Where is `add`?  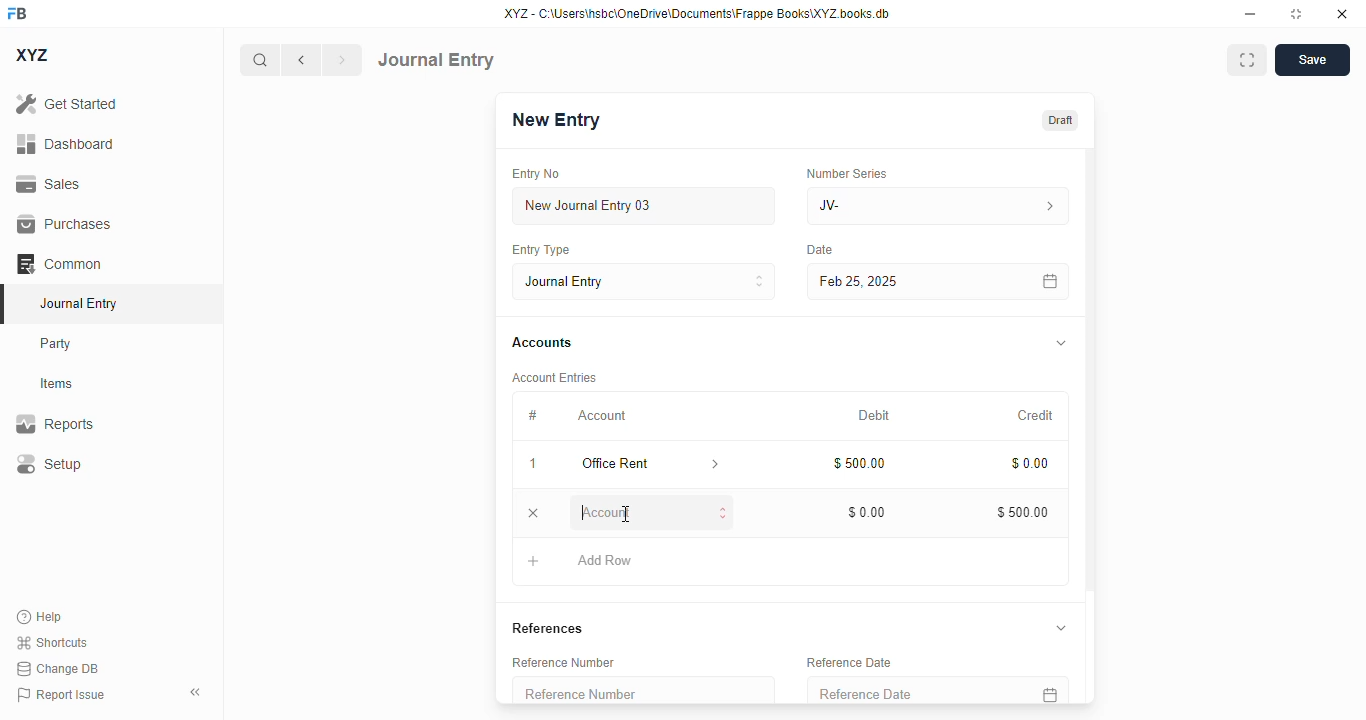 add is located at coordinates (534, 561).